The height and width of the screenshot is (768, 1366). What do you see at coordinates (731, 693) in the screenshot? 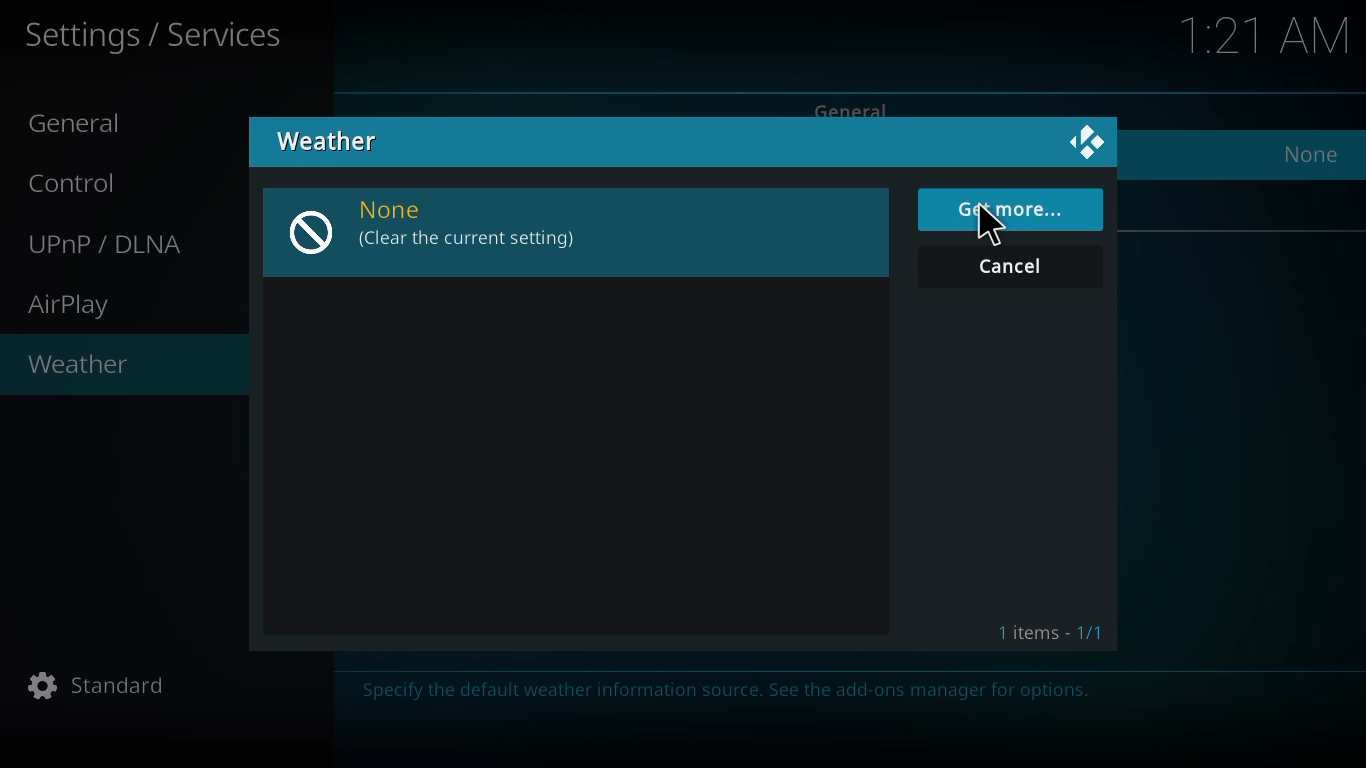
I see `info` at bounding box center [731, 693].